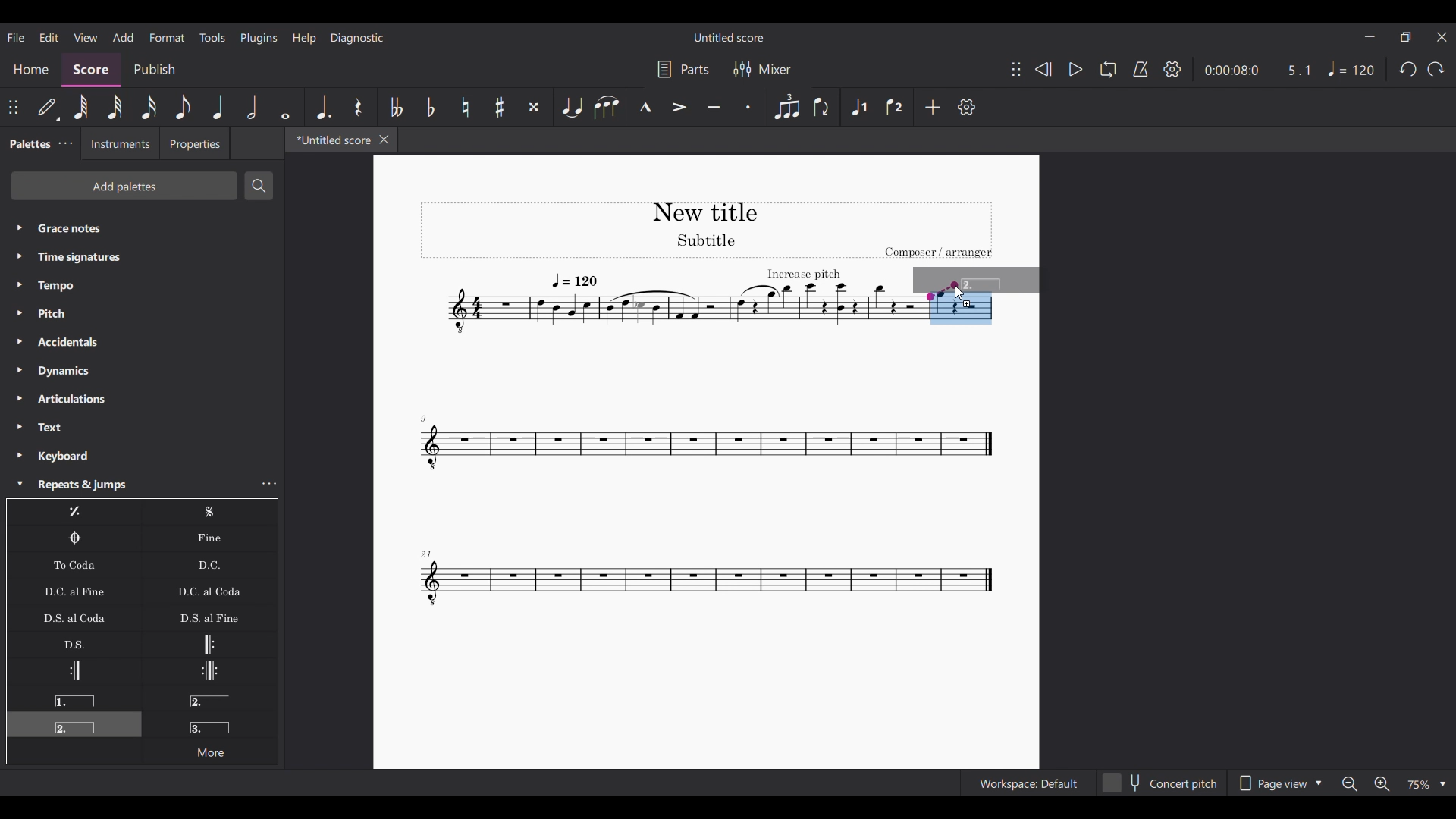 This screenshot has width=1456, height=819. I want to click on Tuplet, so click(786, 107).